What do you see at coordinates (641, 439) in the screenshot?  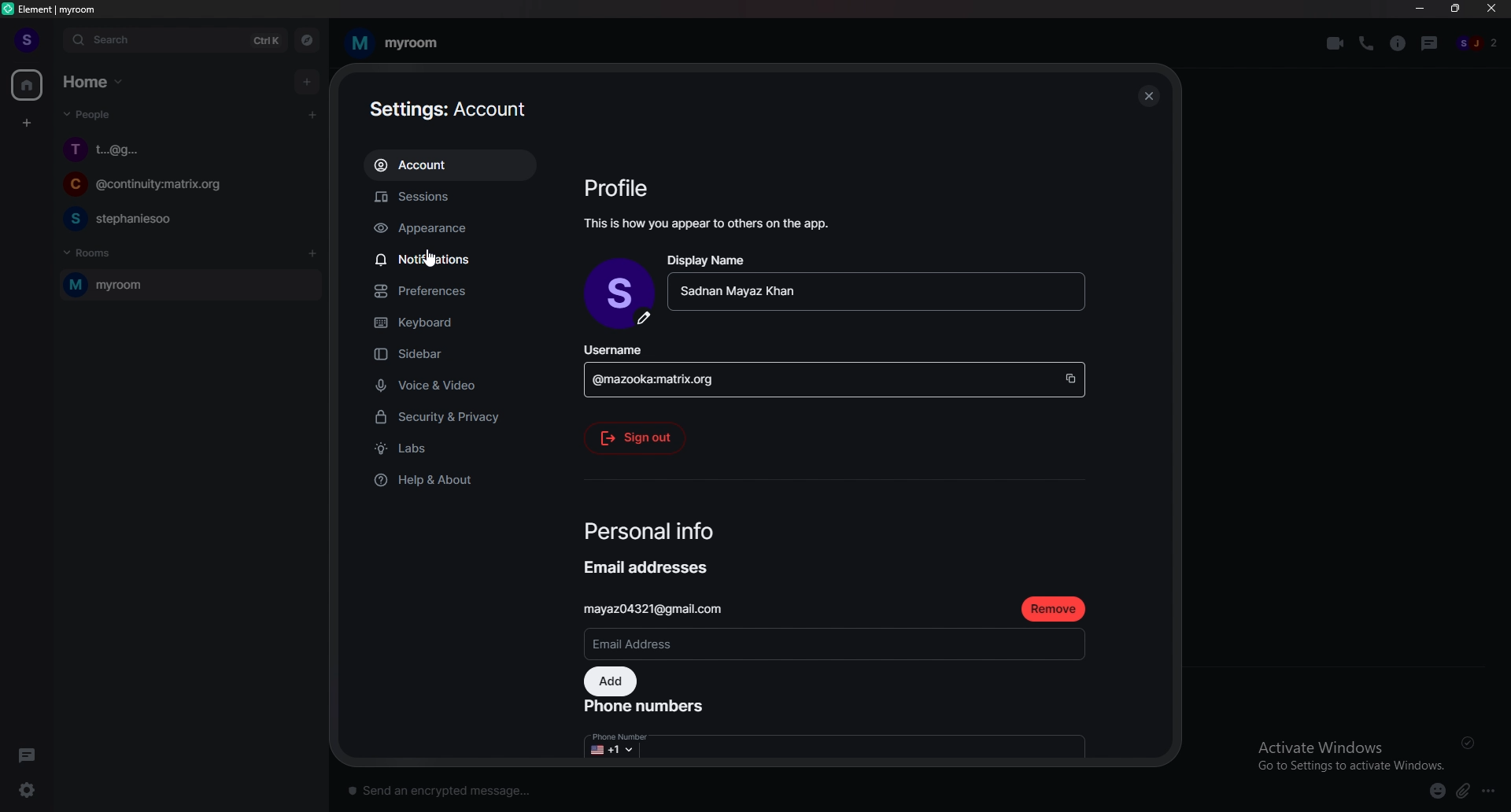 I see `sign out` at bounding box center [641, 439].